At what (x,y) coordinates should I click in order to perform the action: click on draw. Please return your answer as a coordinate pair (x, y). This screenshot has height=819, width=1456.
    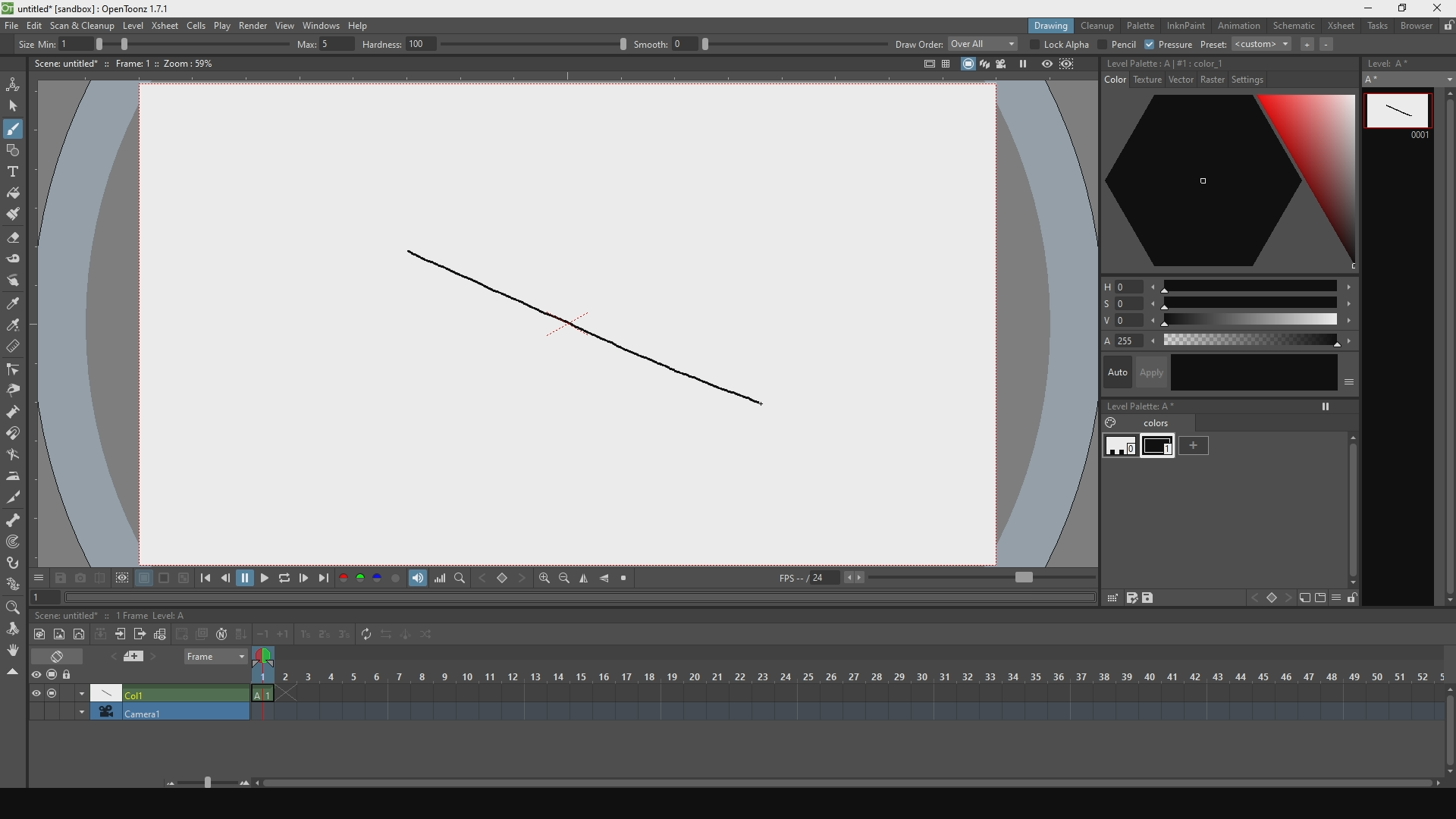
    Looking at the image, I should click on (17, 127).